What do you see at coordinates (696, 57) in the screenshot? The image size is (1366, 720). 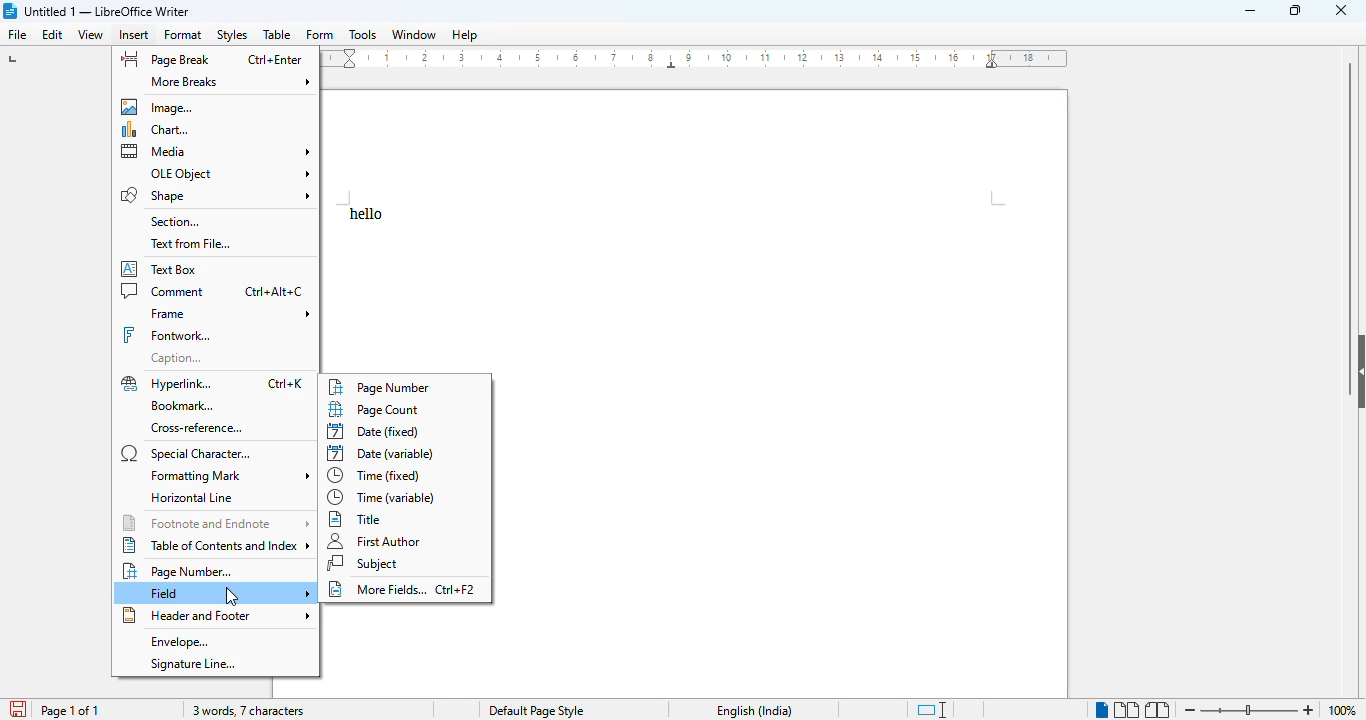 I see `ruler` at bounding box center [696, 57].